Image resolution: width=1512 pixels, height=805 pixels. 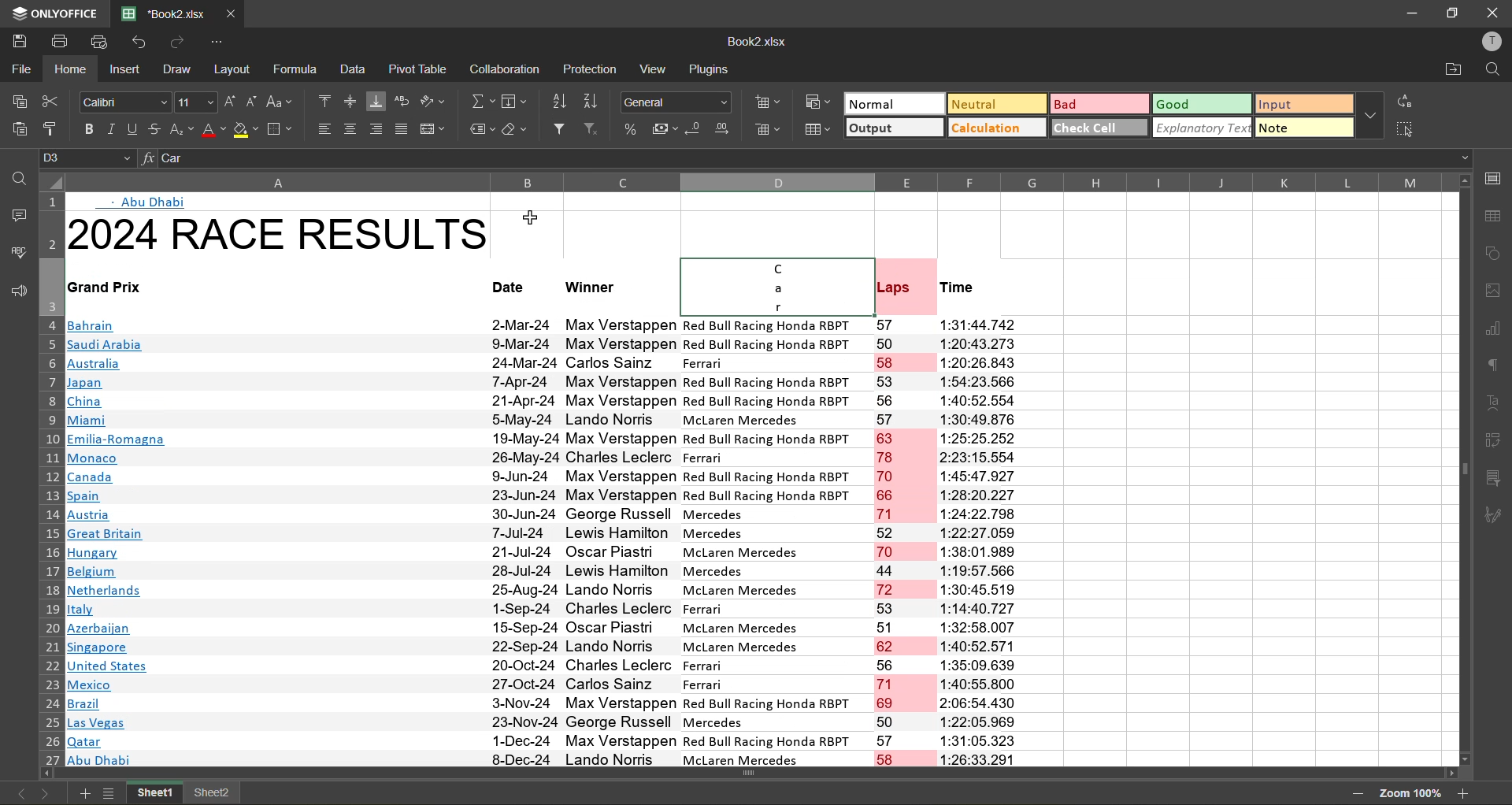 What do you see at coordinates (1492, 438) in the screenshot?
I see `pivot table` at bounding box center [1492, 438].